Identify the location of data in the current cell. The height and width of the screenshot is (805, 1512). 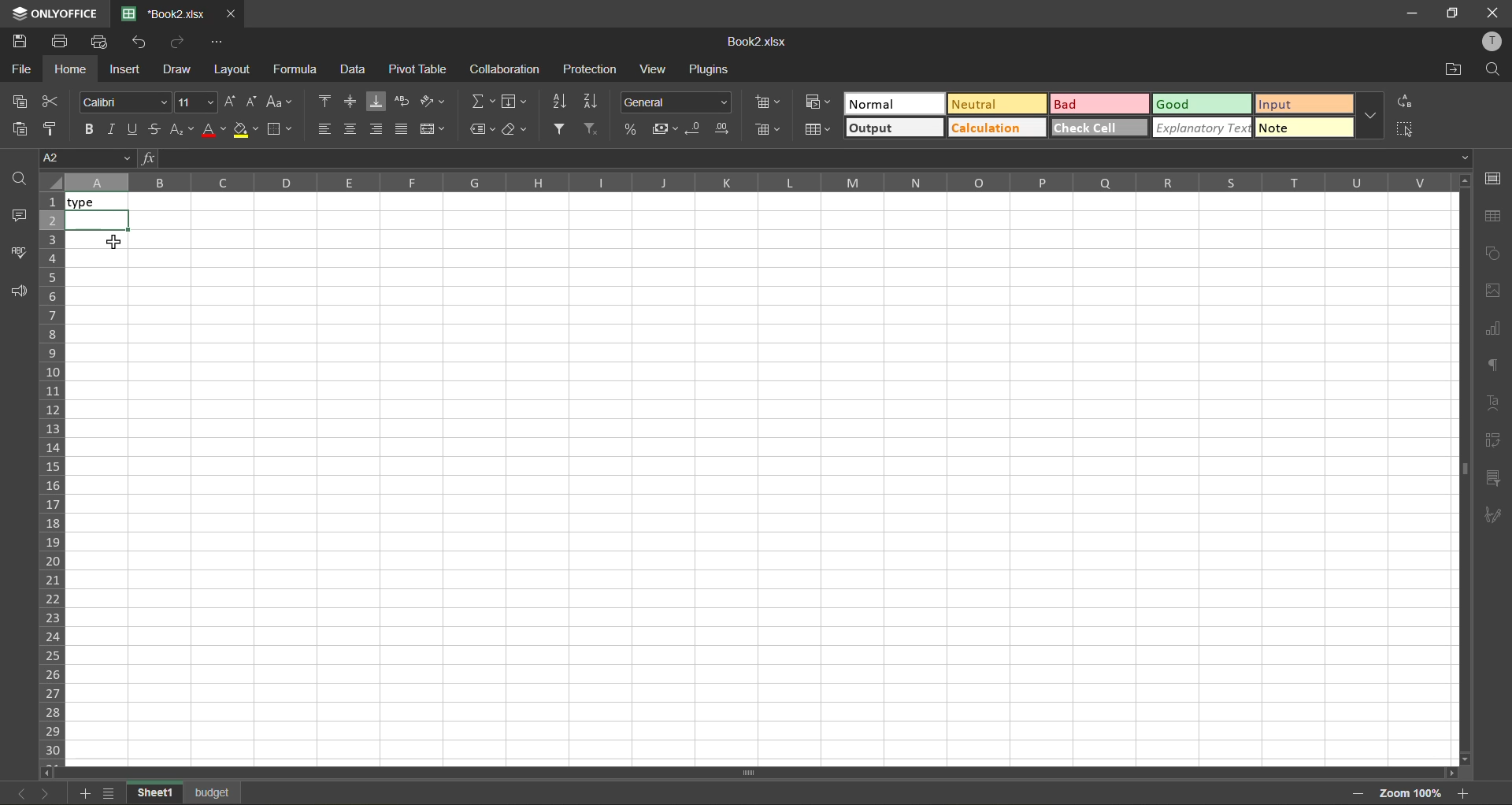
(323, 158).